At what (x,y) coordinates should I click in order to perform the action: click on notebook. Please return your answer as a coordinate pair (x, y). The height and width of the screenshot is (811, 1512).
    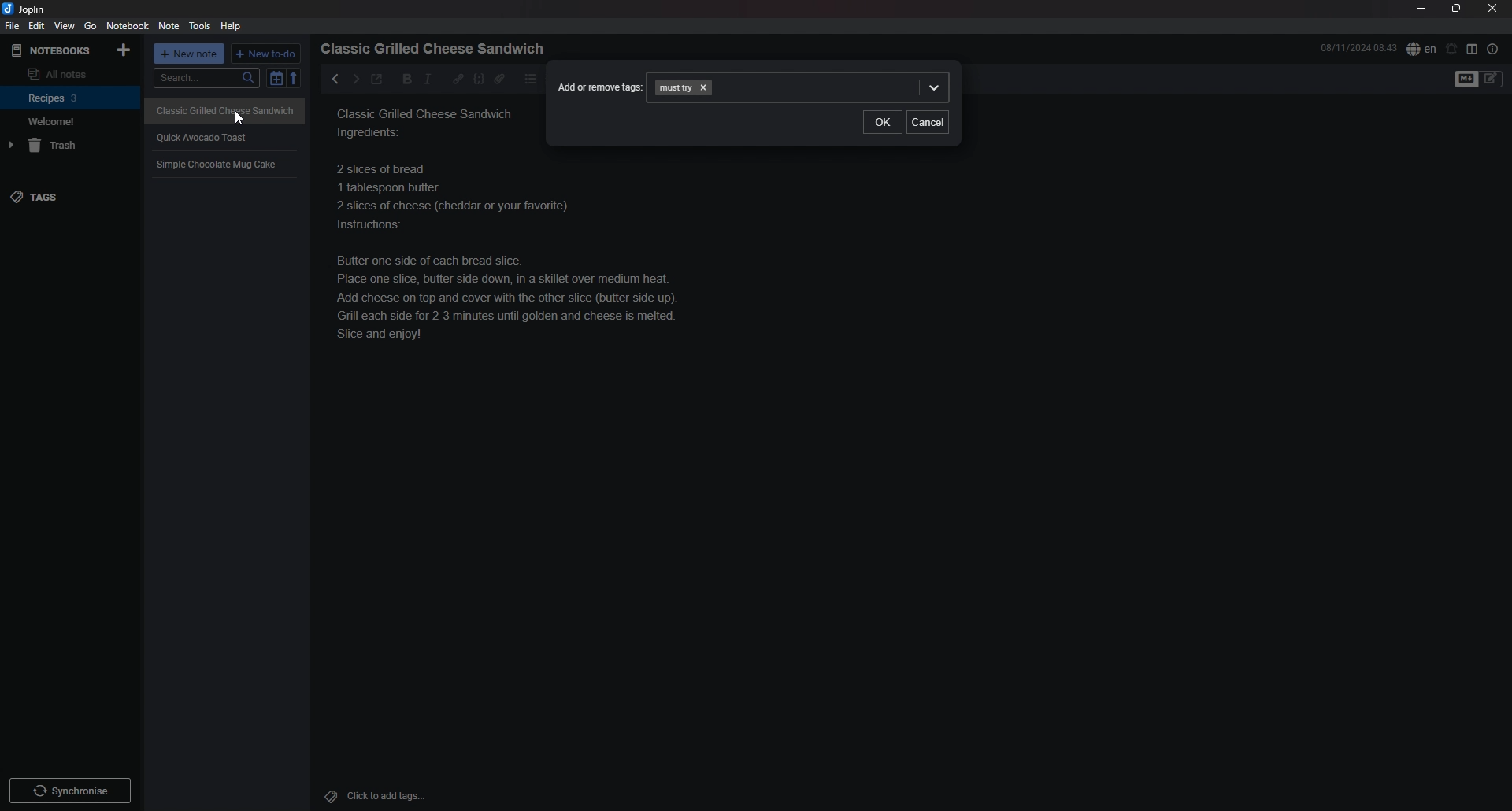
    Looking at the image, I should click on (69, 121).